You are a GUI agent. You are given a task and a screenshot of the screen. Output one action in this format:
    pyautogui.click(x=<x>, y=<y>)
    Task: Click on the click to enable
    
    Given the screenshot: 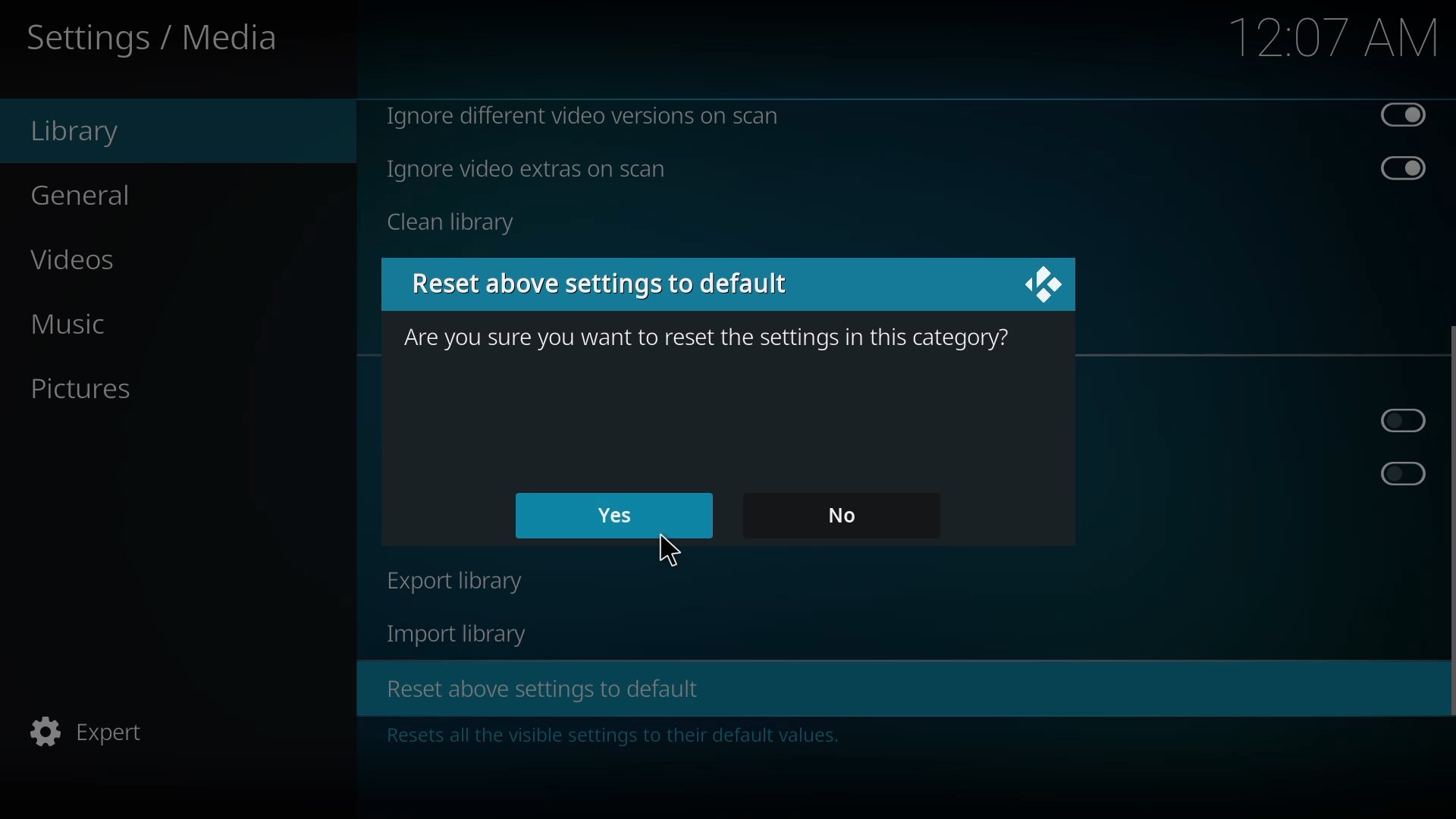 What is the action you would take?
    pyautogui.click(x=1398, y=421)
    